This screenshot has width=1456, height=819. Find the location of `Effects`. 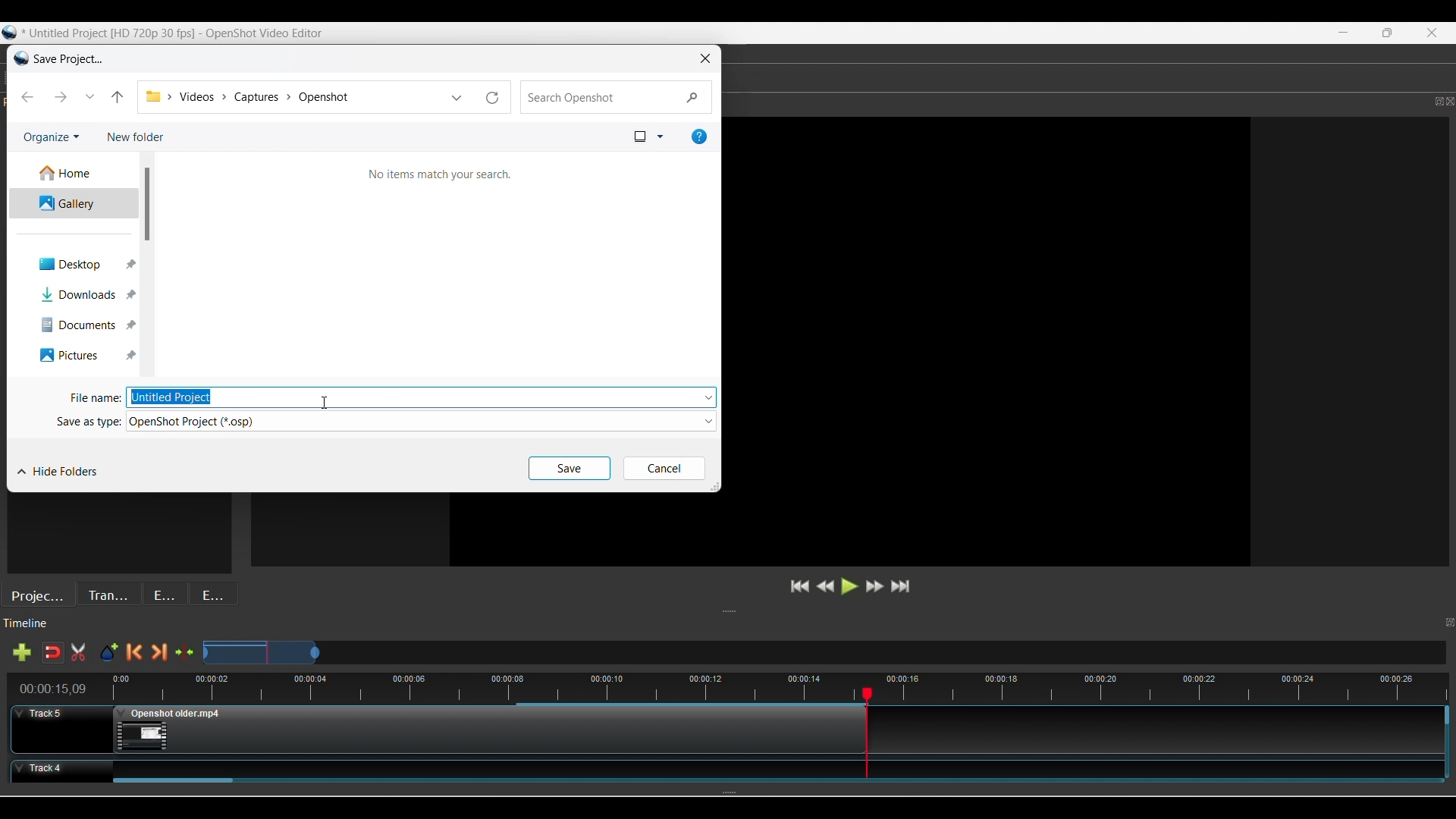

Effects is located at coordinates (166, 593).